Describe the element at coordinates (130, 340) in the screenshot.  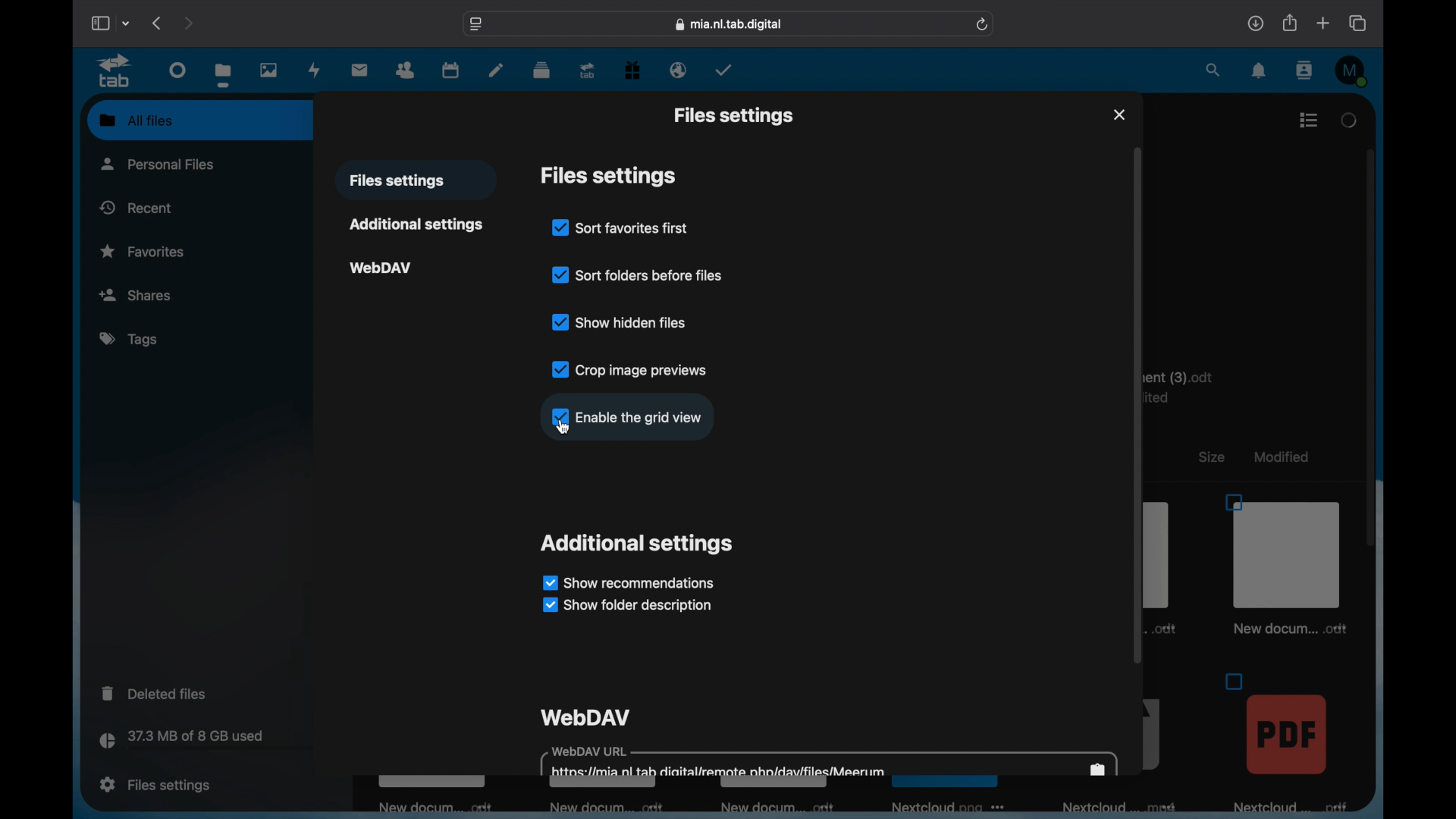
I see `tags` at that location.